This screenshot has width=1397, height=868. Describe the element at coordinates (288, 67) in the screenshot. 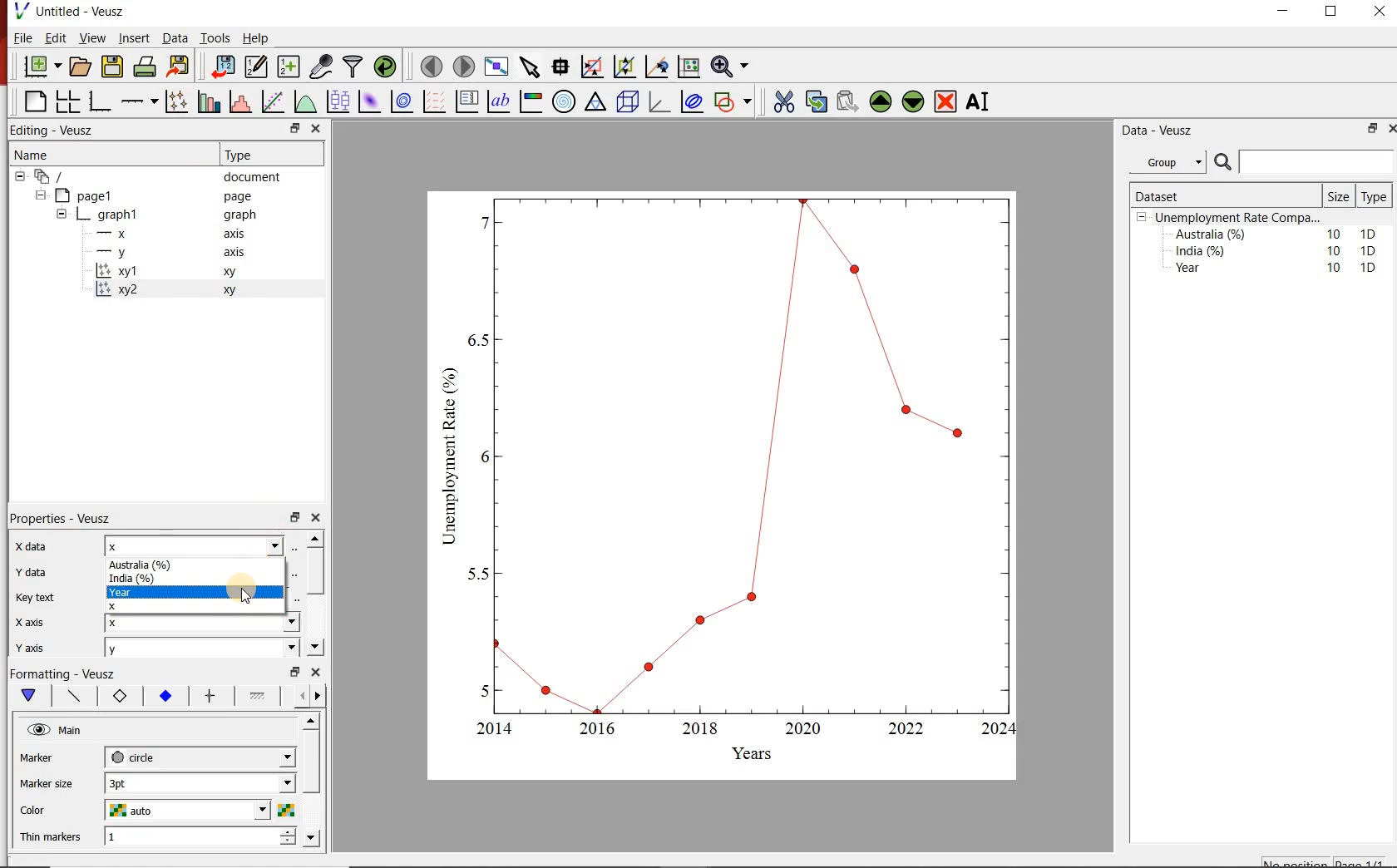

I see `create new datasets` at that location.